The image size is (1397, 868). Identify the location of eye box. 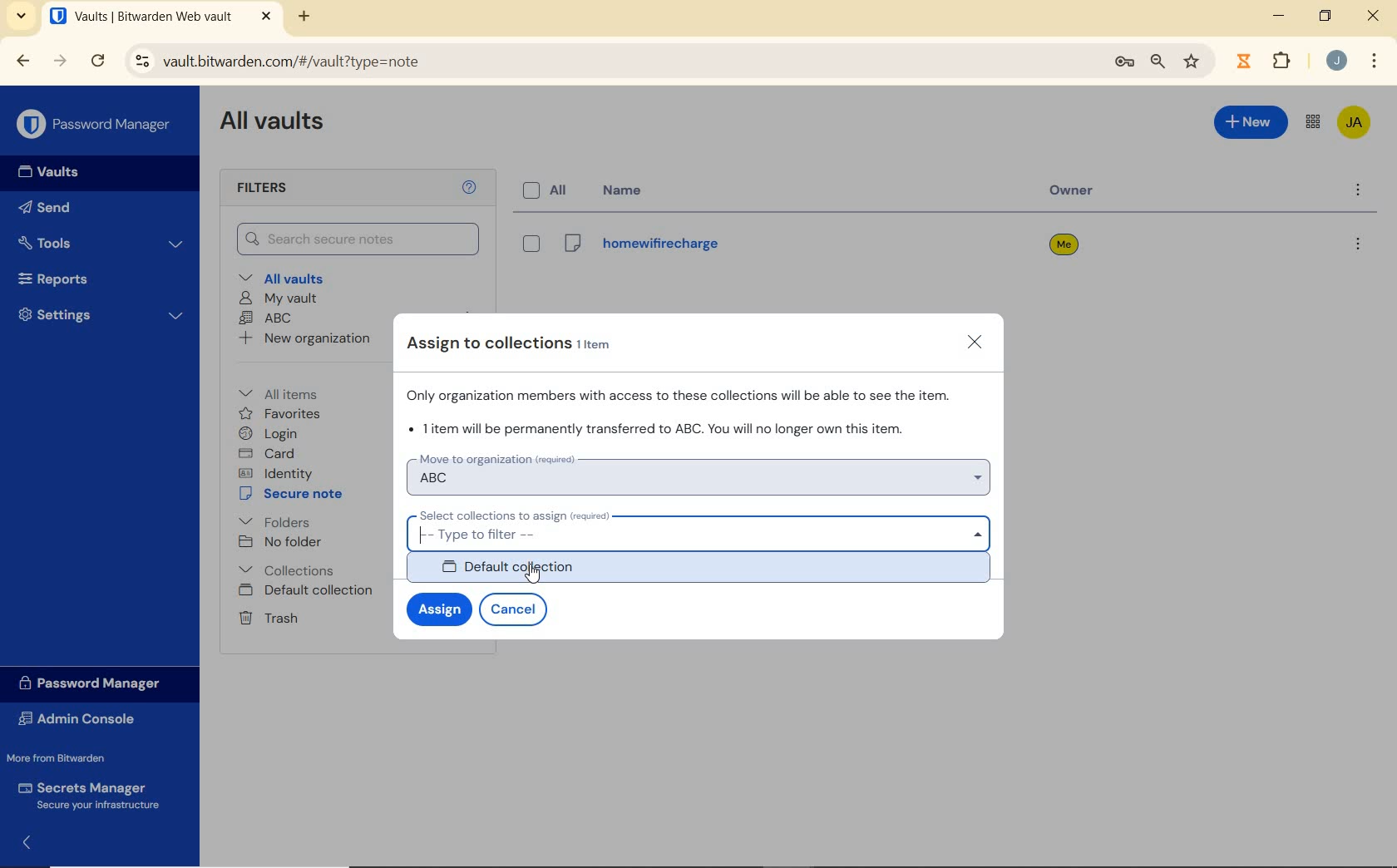
(530, 244).